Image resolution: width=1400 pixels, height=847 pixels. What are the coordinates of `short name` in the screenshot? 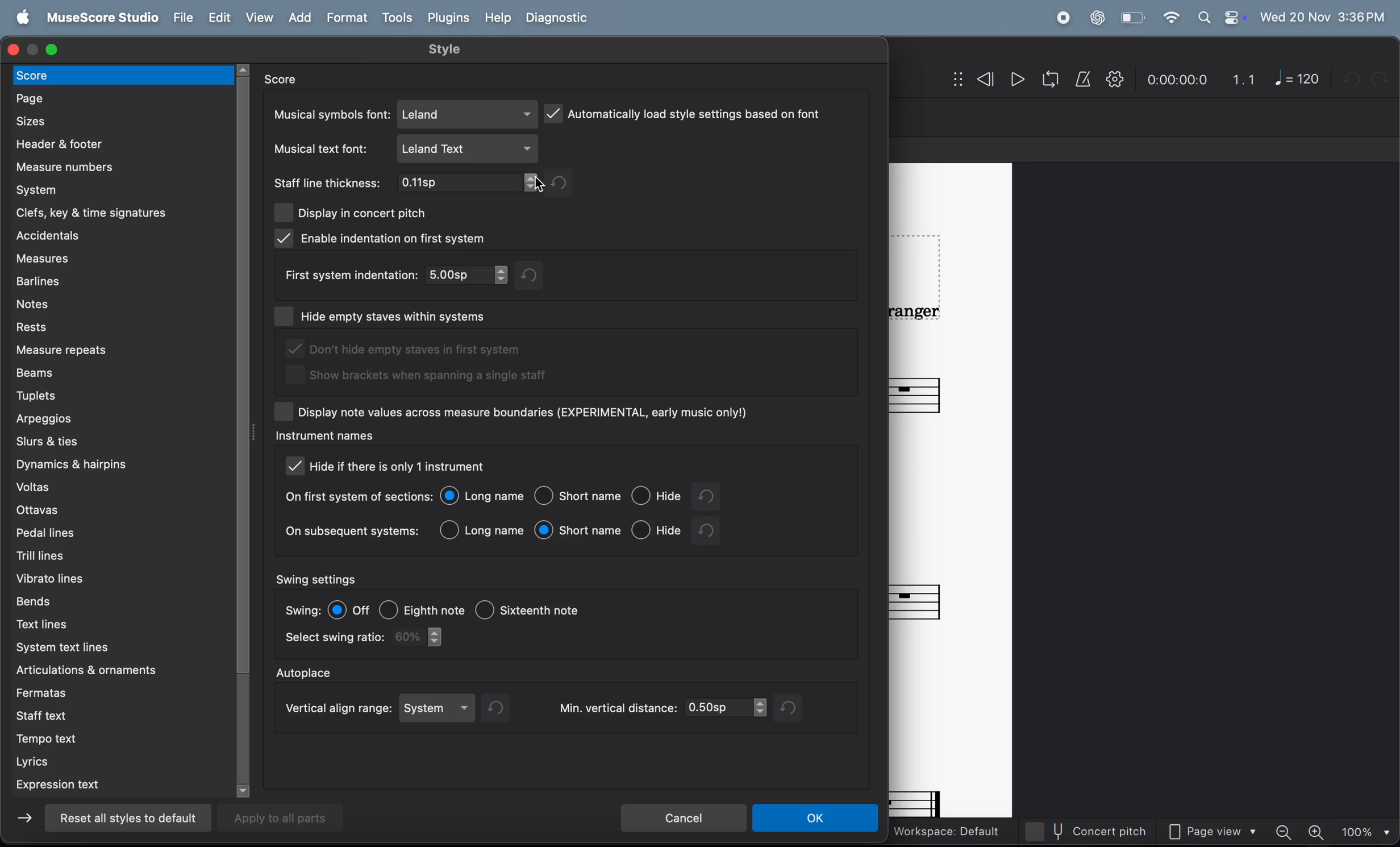 It's located at (578, 530).